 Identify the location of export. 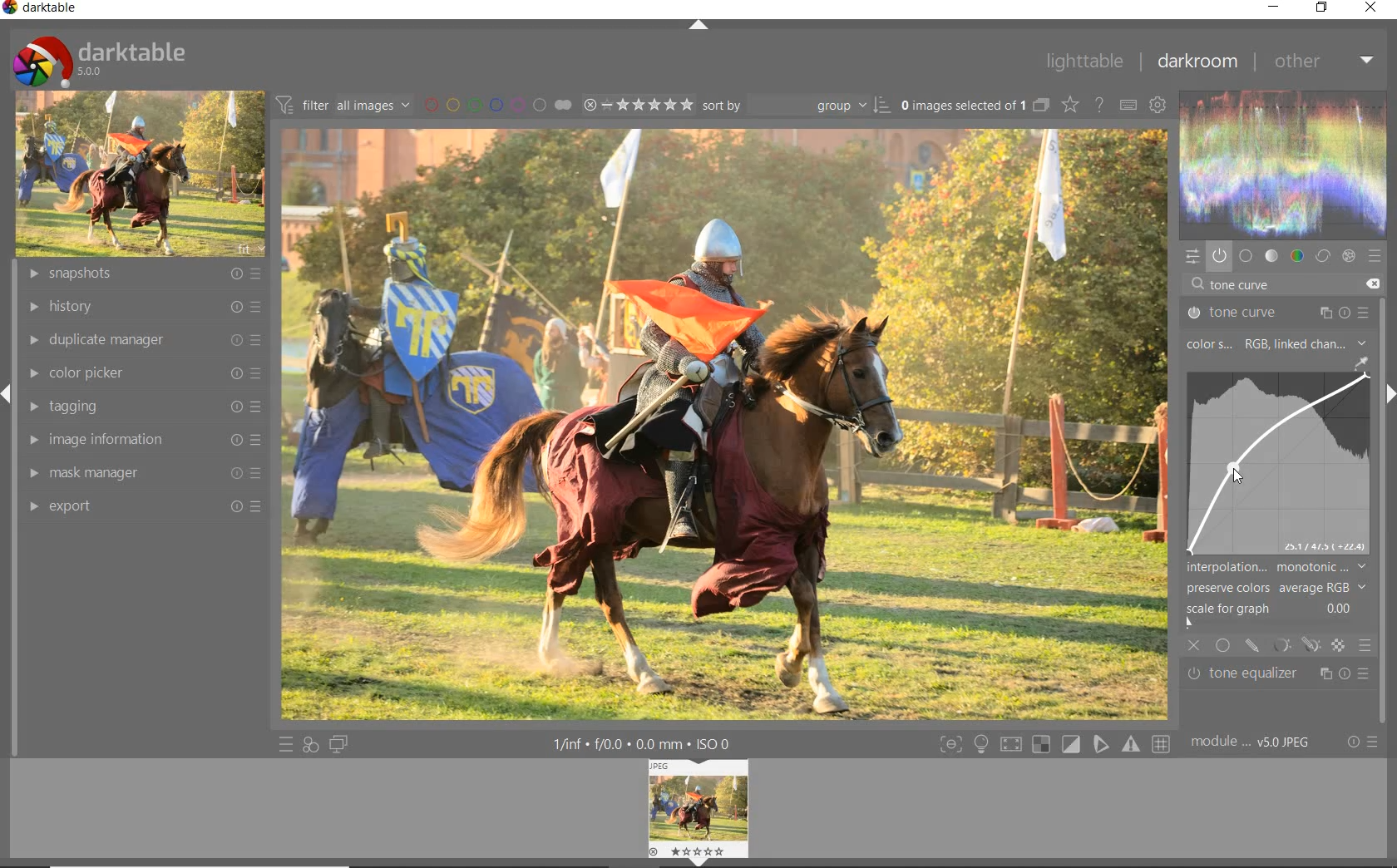
(141, 506).